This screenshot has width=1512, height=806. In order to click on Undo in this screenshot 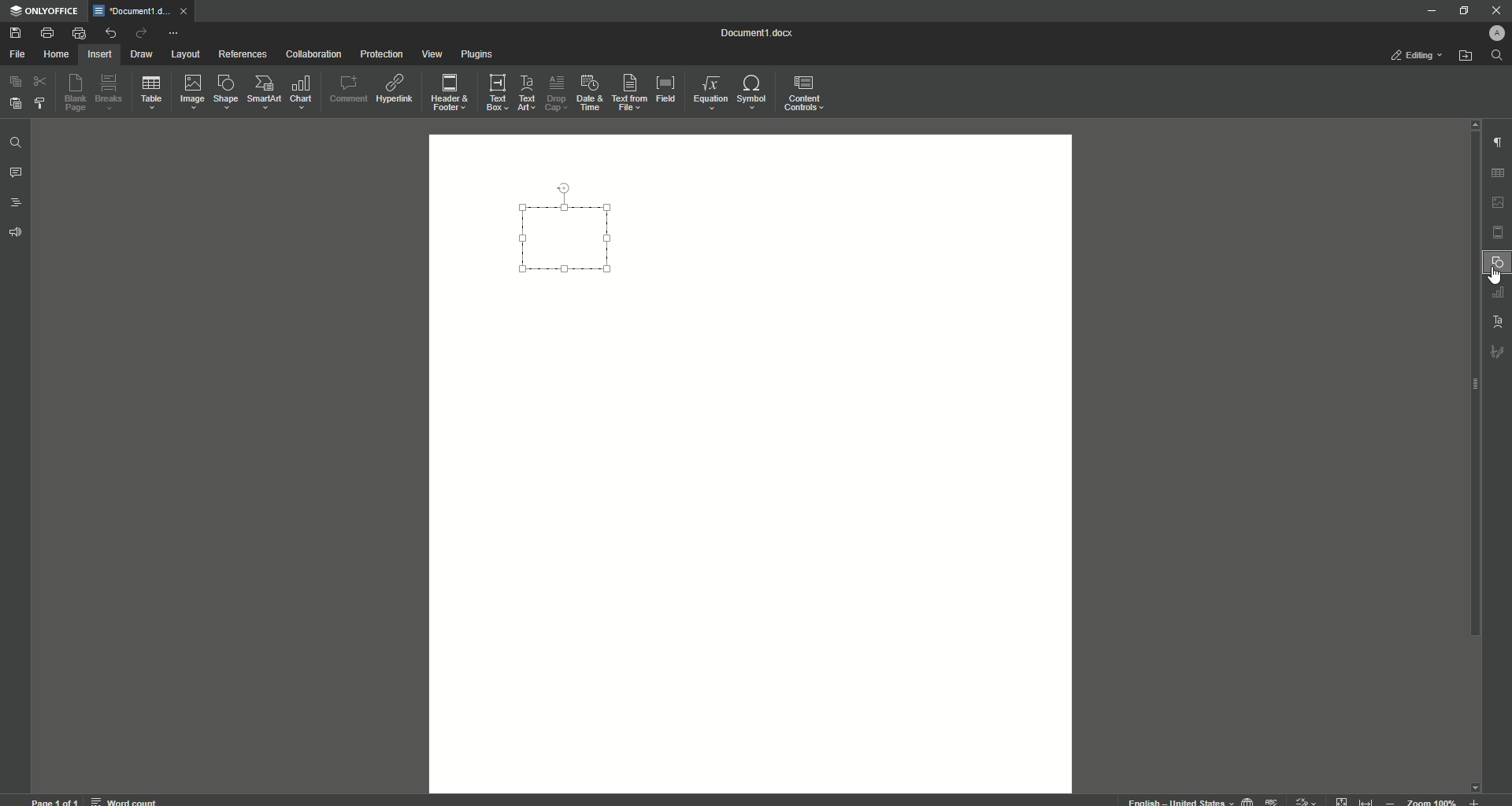, I will do `click(109, 33)`.